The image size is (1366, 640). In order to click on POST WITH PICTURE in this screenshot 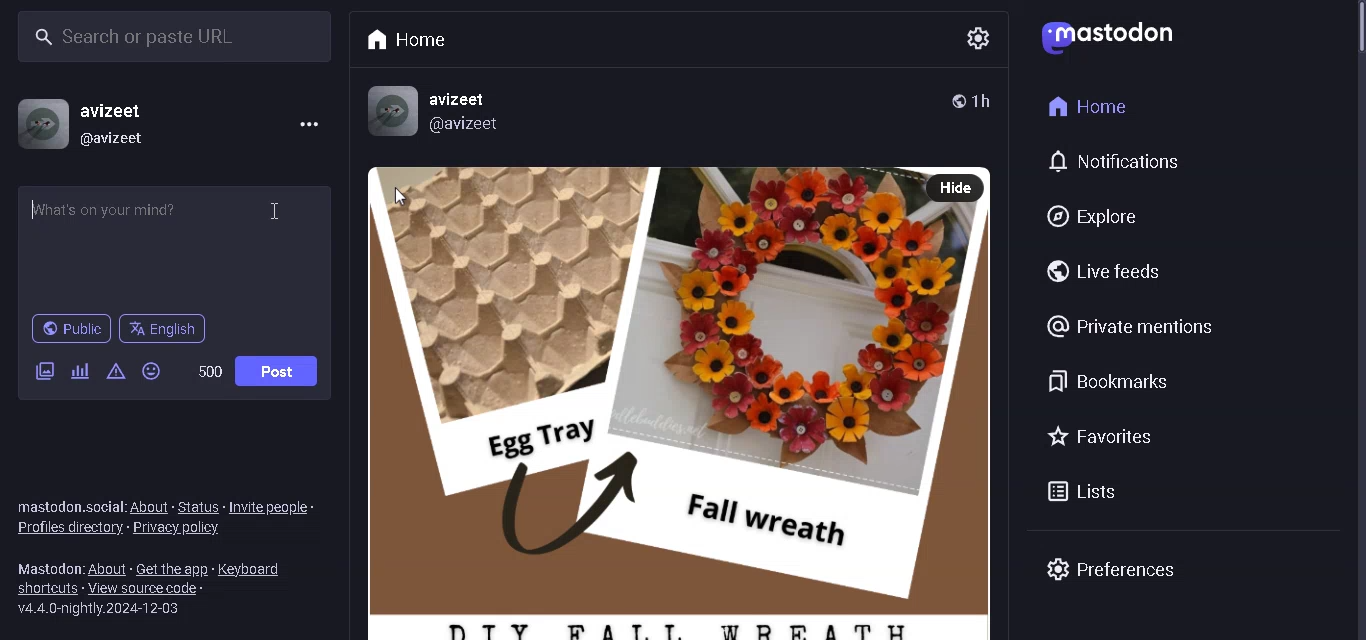, I will do `click(634, 402)`.